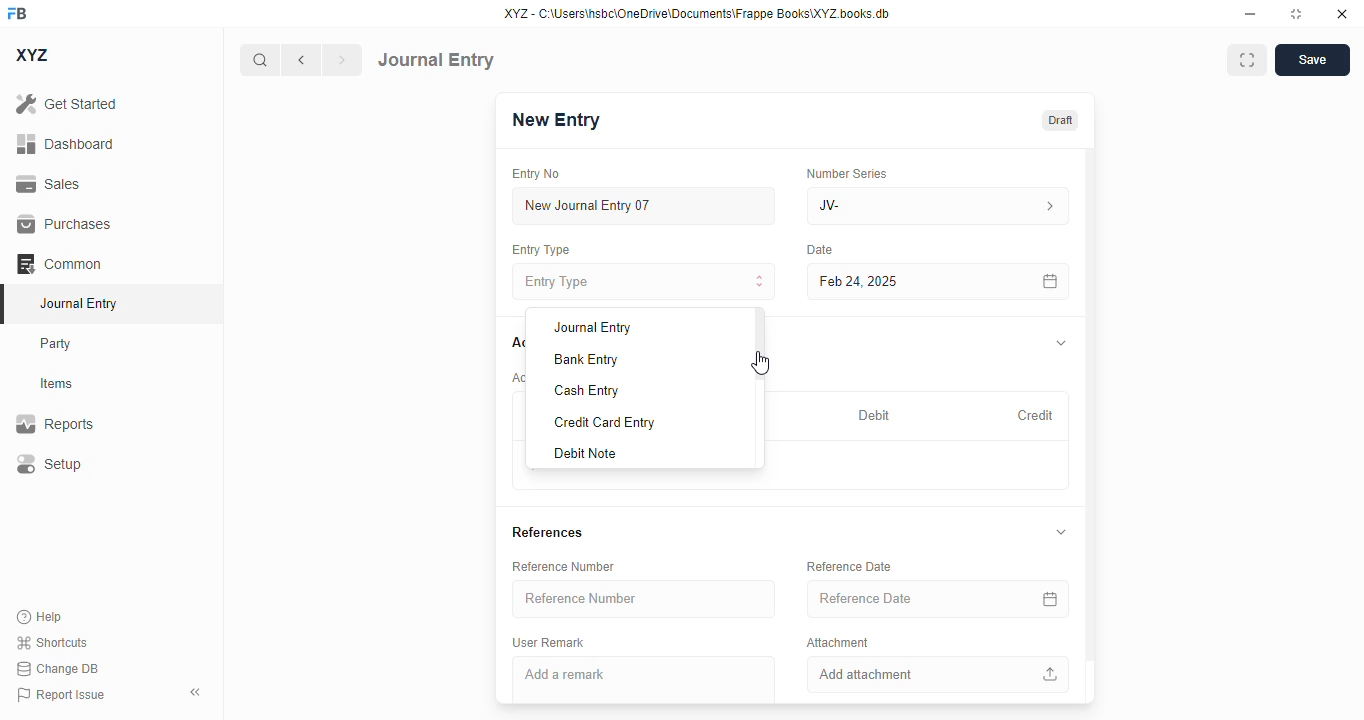 This screenshot has width=1364, height=720. Describe the element at coordinates (850, 566) in the screenshot. I see `reference date` at that location.